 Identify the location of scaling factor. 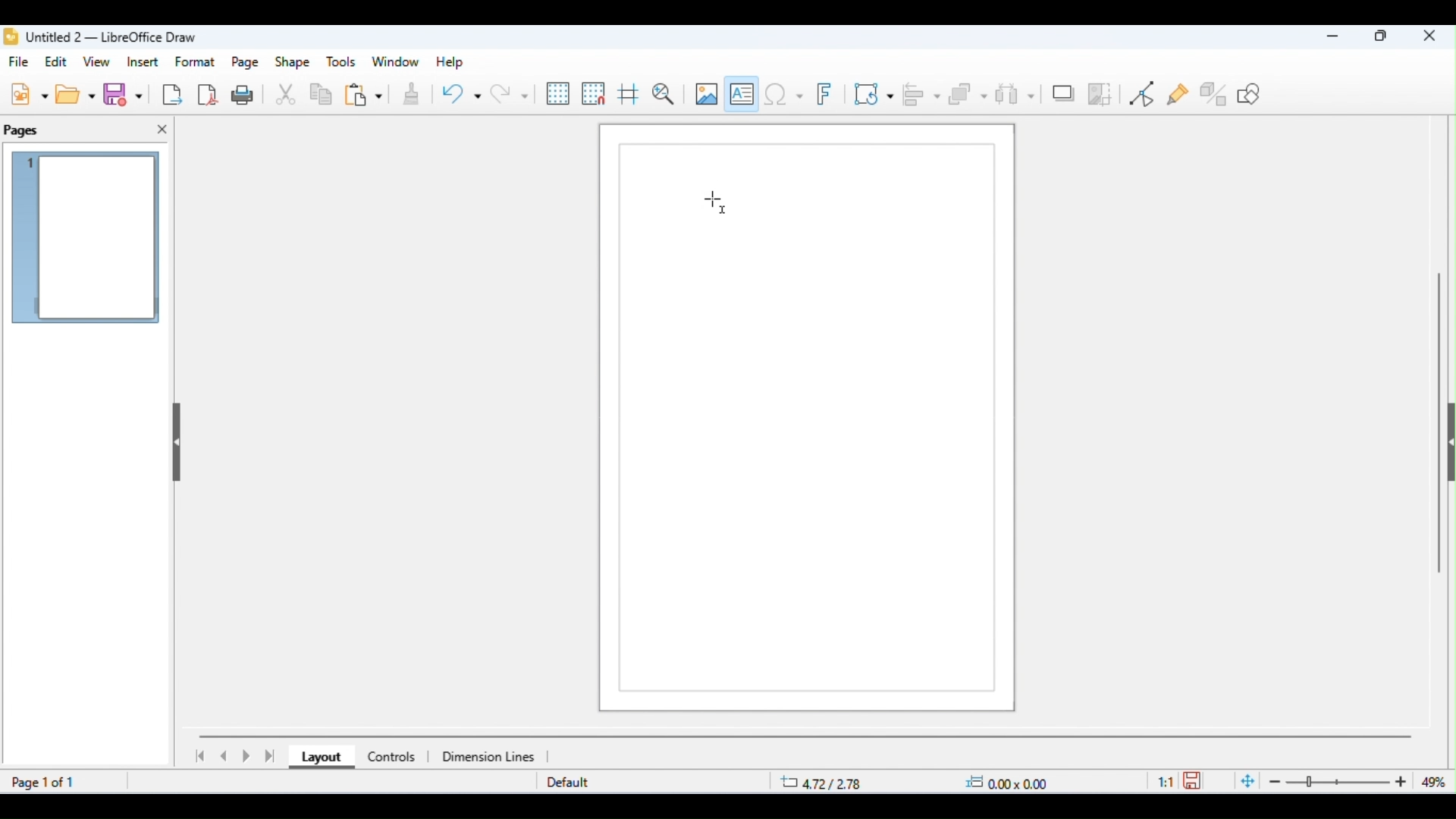
(1166, 780).